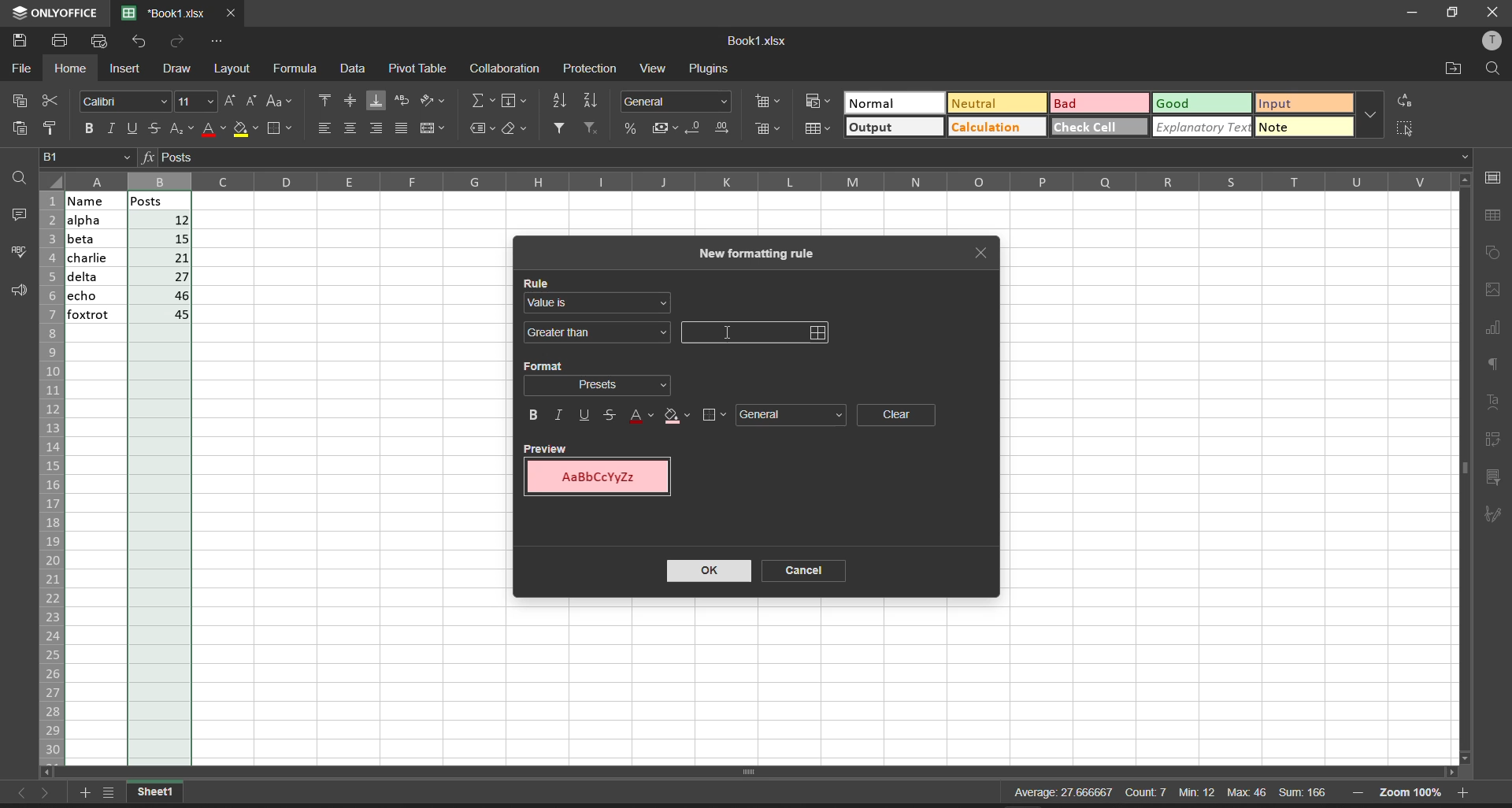  I want to click on output, so click(872, 128).